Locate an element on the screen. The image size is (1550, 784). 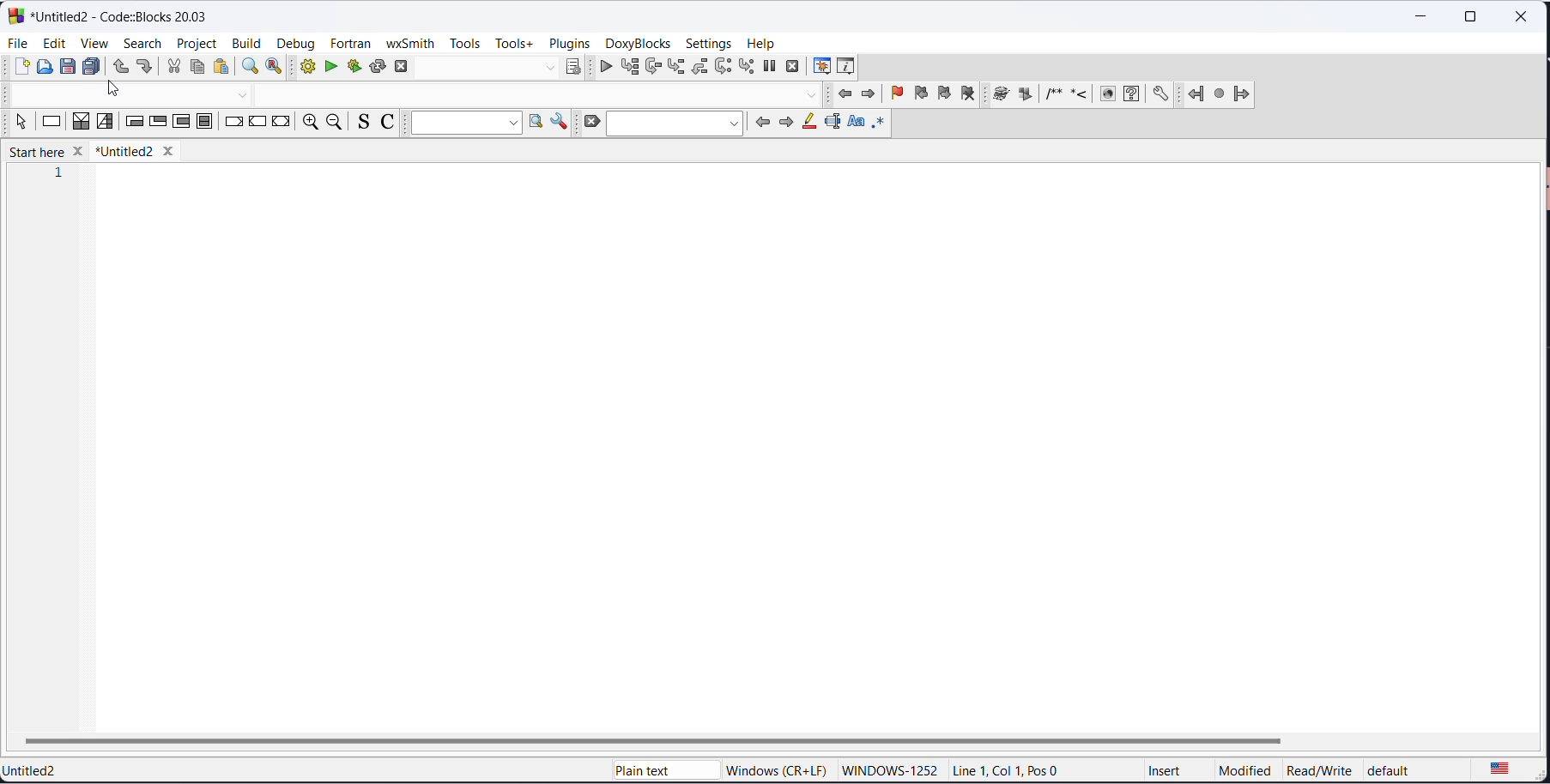
new file   is located at coordinates (772, 442).